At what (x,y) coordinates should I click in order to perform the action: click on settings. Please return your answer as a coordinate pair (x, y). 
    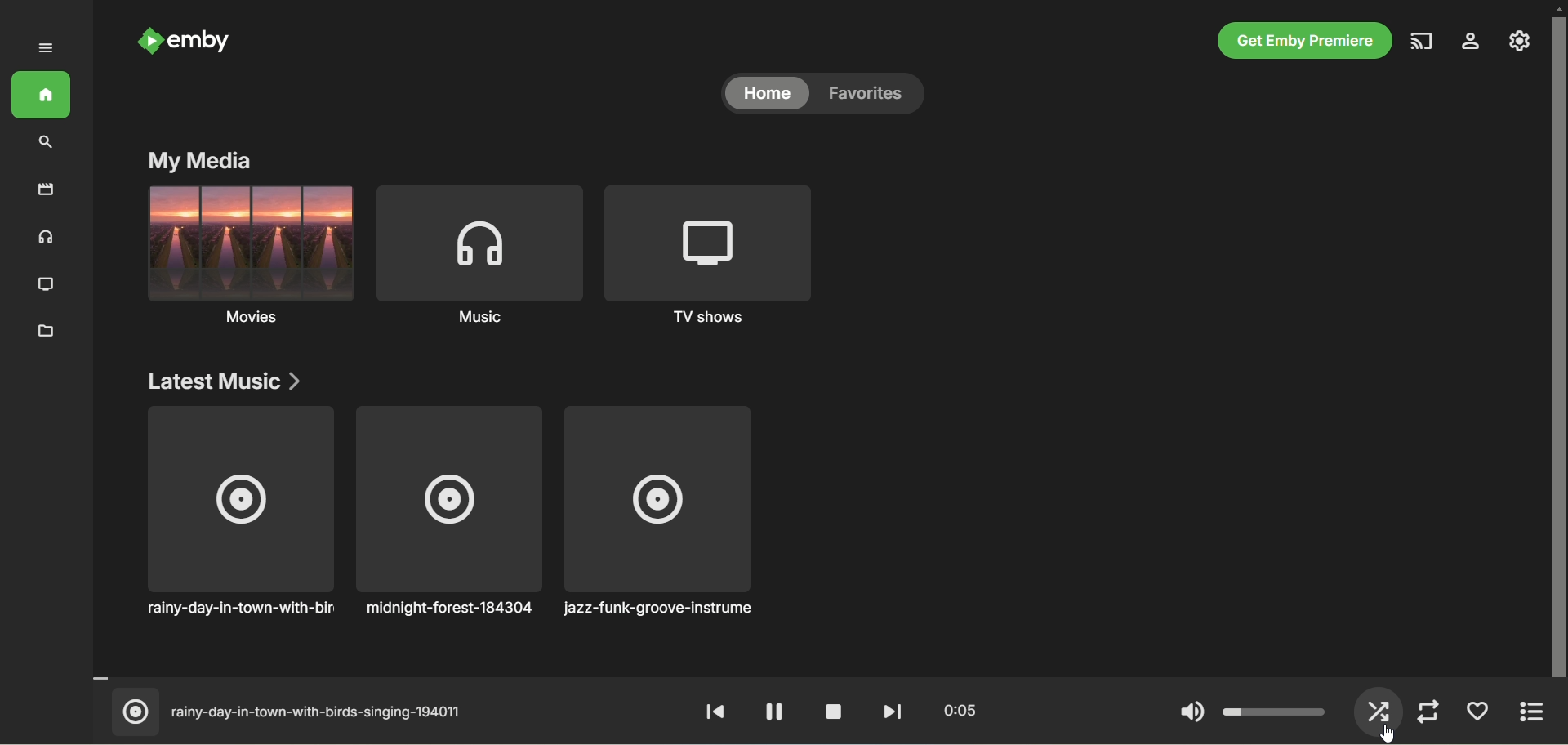
    Looking at the image, I should click on (1472, 43).